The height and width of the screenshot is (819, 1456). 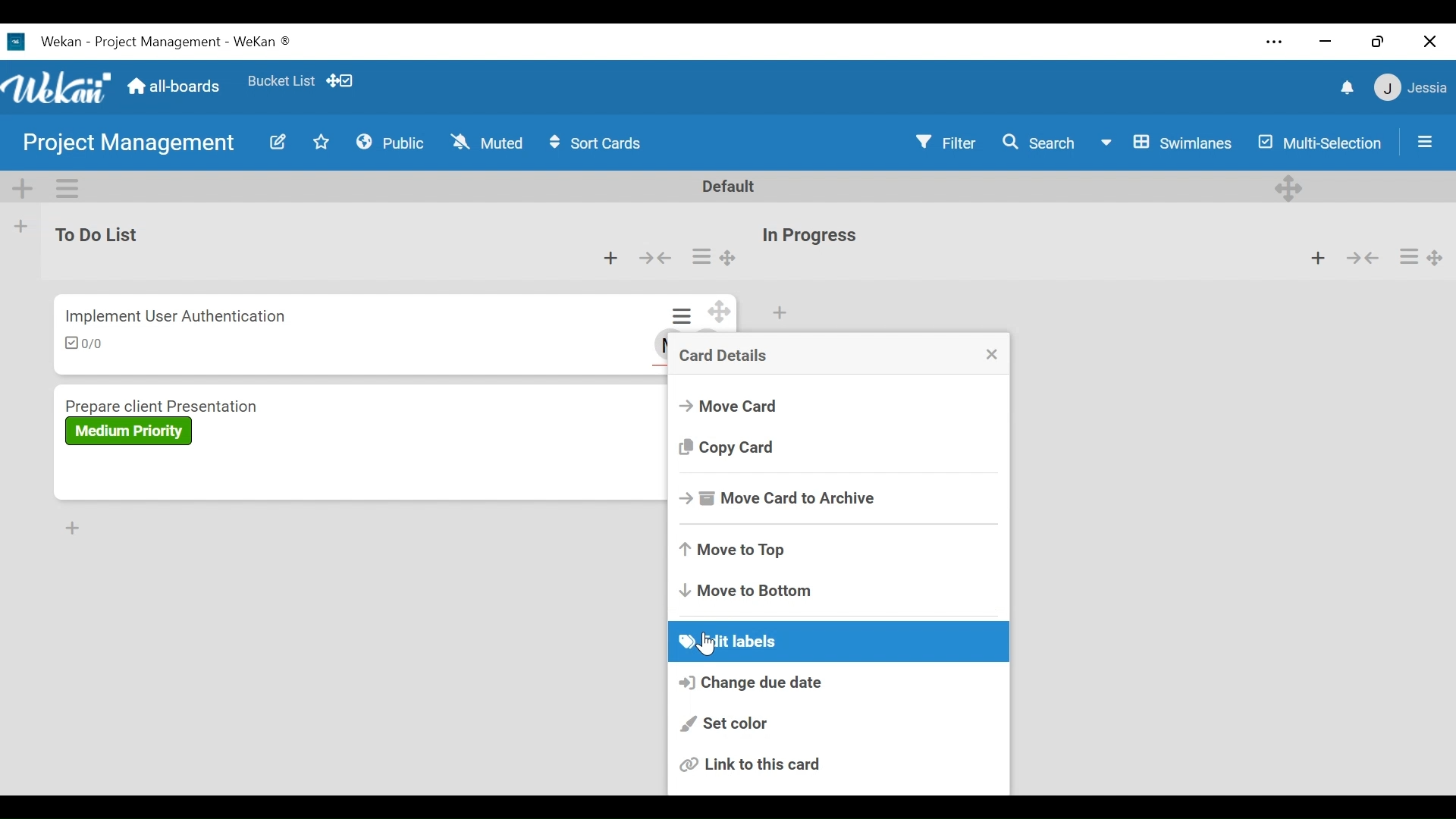 What do you see at coordinates (1378, 41) in the screenshot?
I see `restore` at bounding box center [1378, 41].